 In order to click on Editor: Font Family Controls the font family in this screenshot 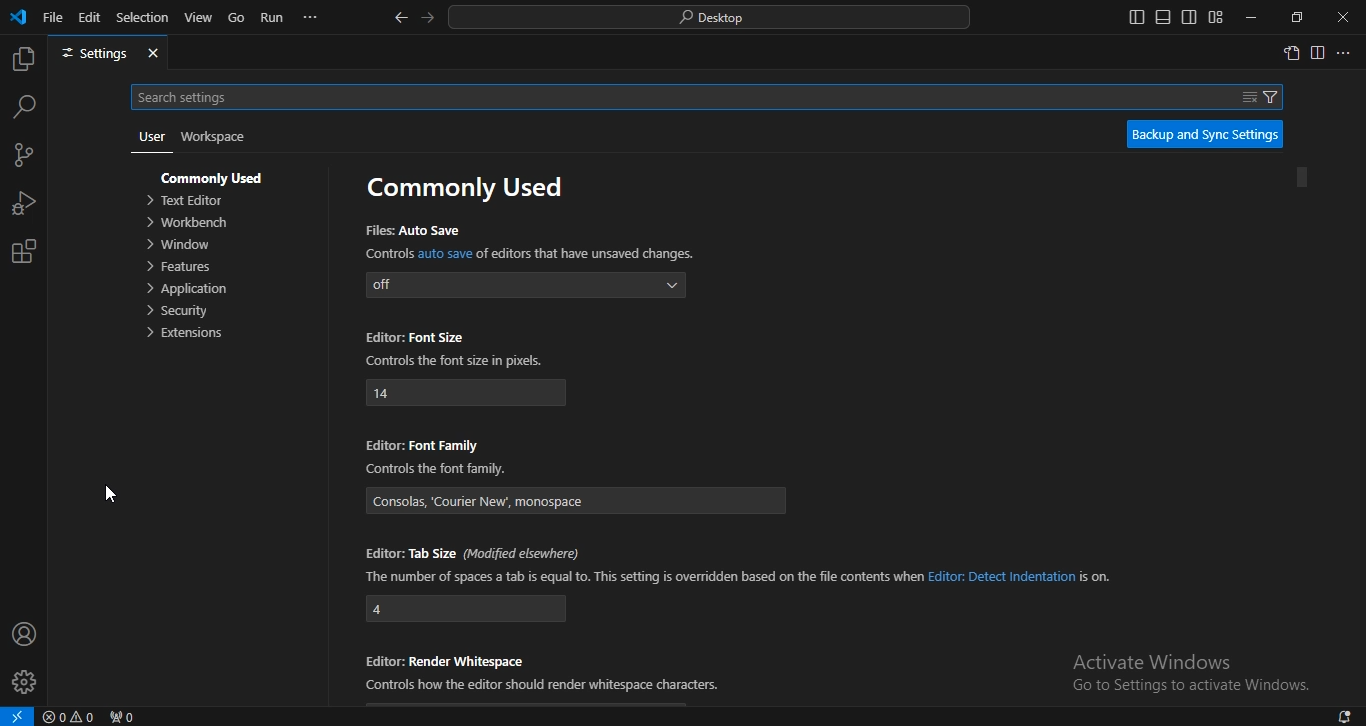, I will do `click(434, 455)`.